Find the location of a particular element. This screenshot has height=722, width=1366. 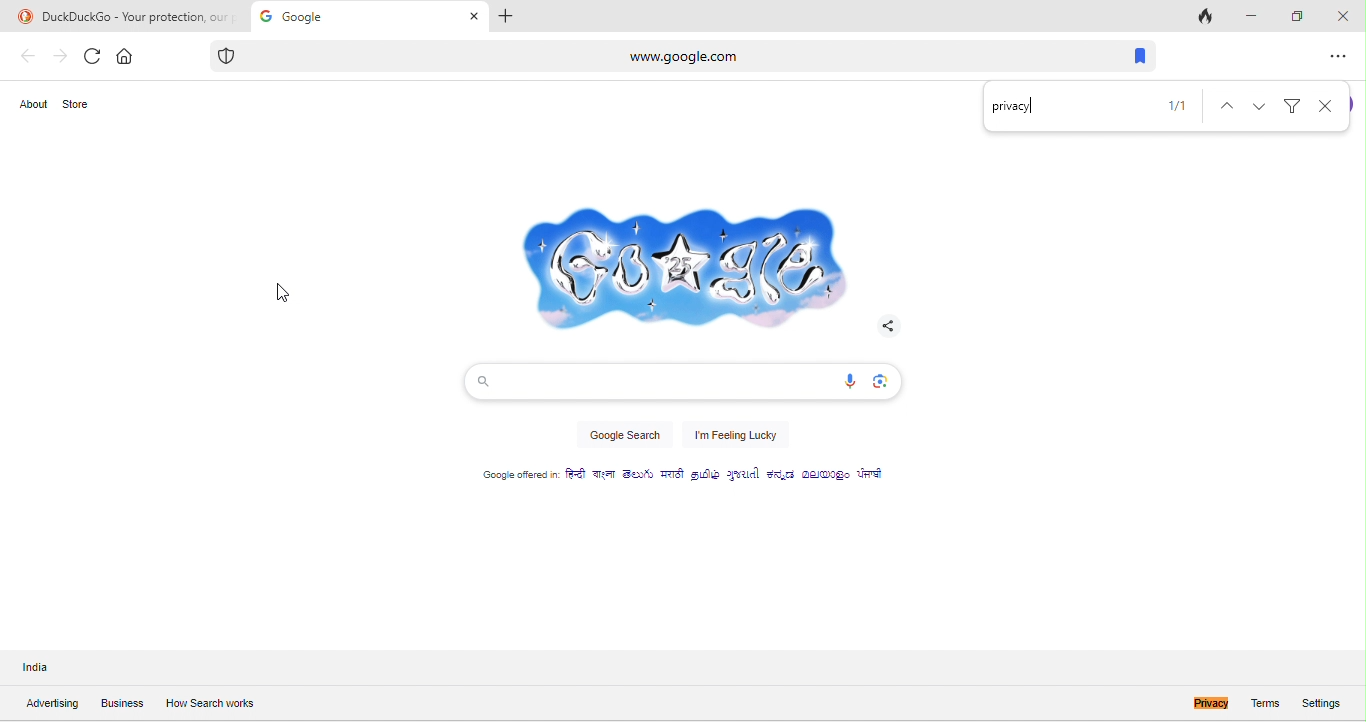

india is located at coordinates (52, 668).